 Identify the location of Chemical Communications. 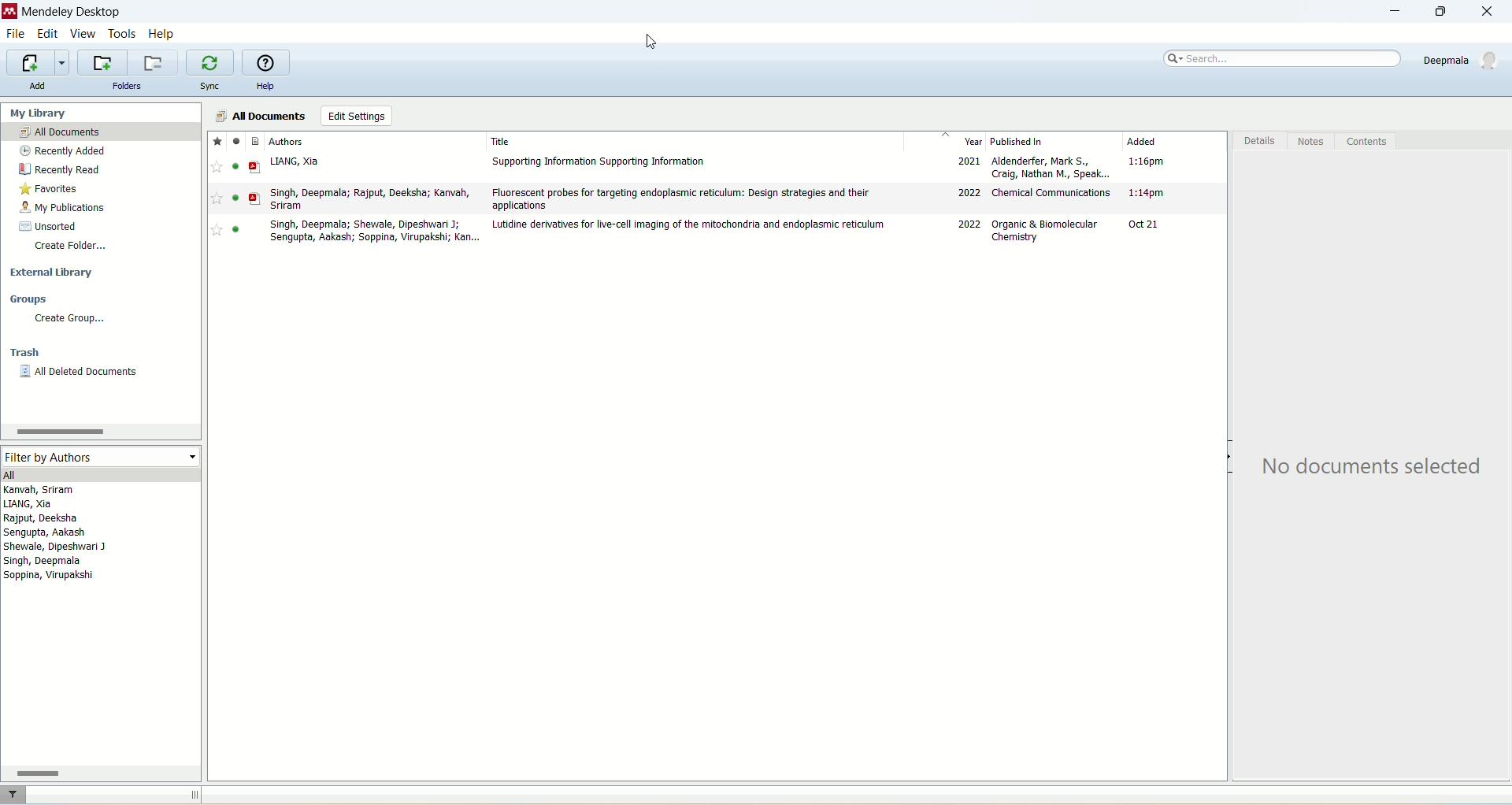
(1051, 192).